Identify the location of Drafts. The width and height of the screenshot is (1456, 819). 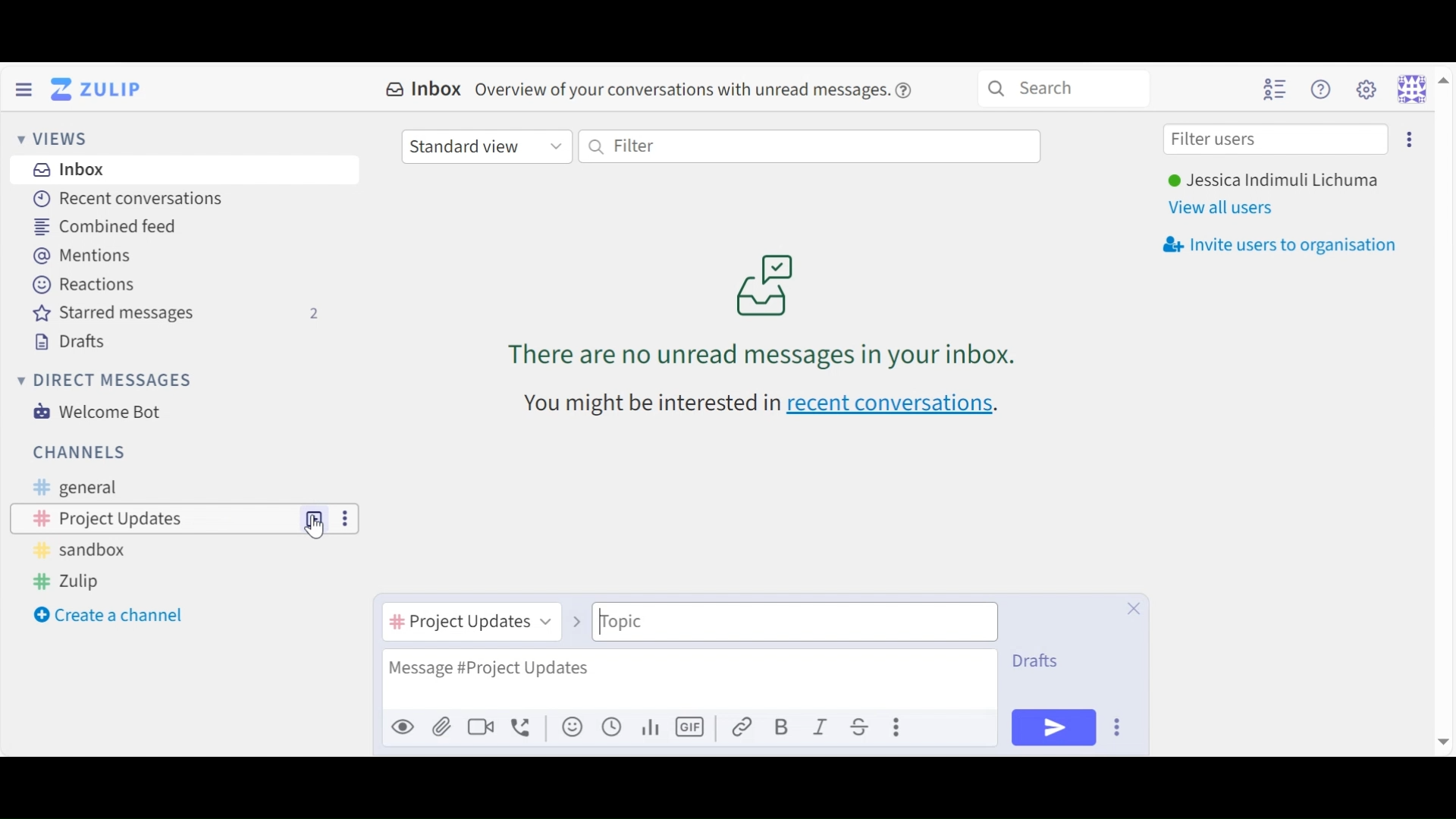
(77, 340).